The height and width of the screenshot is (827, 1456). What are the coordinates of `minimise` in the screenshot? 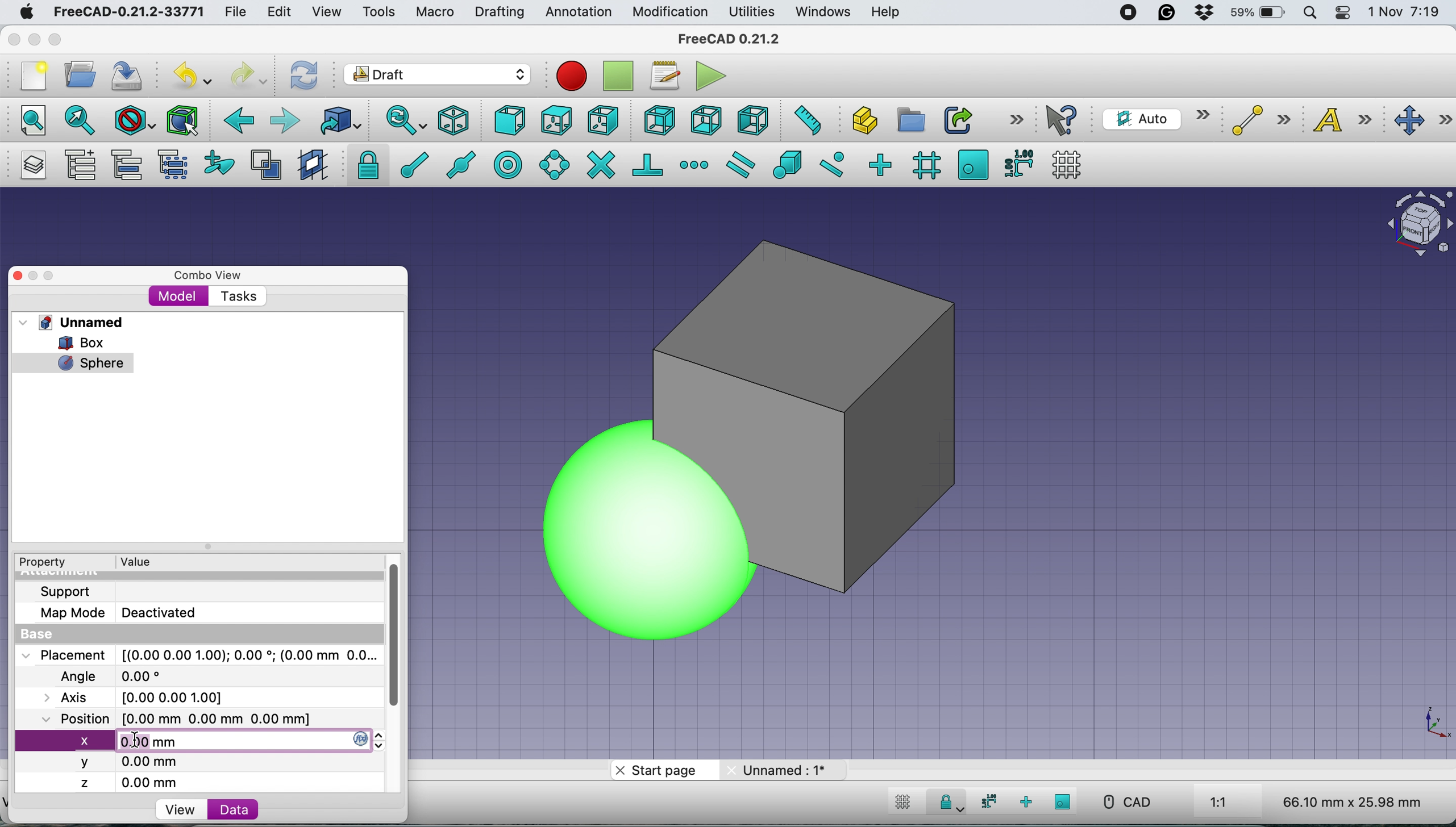 It's located at (33, 39).